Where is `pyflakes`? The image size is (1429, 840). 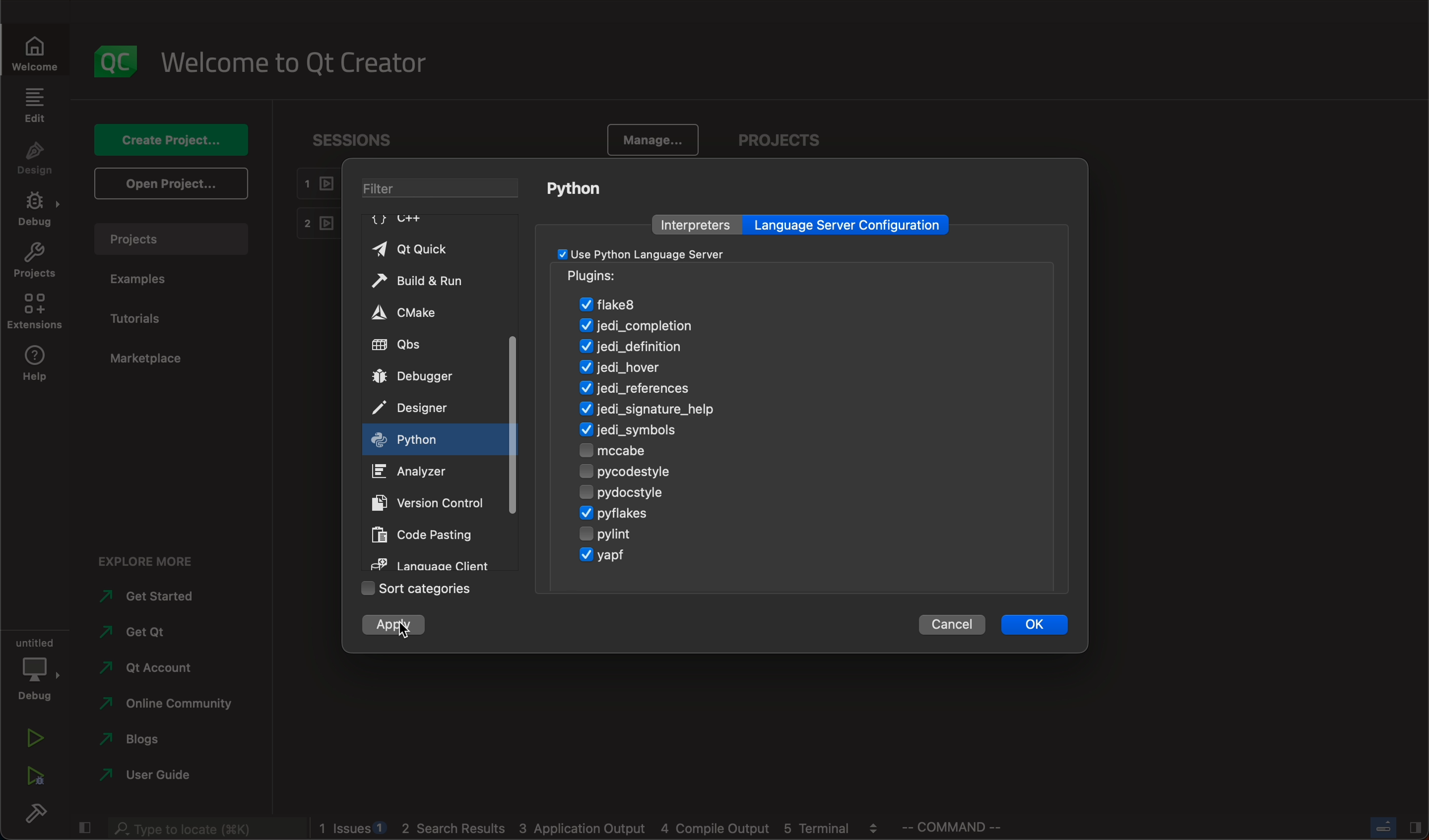 pyflakes is located at coordinates (625, 513).